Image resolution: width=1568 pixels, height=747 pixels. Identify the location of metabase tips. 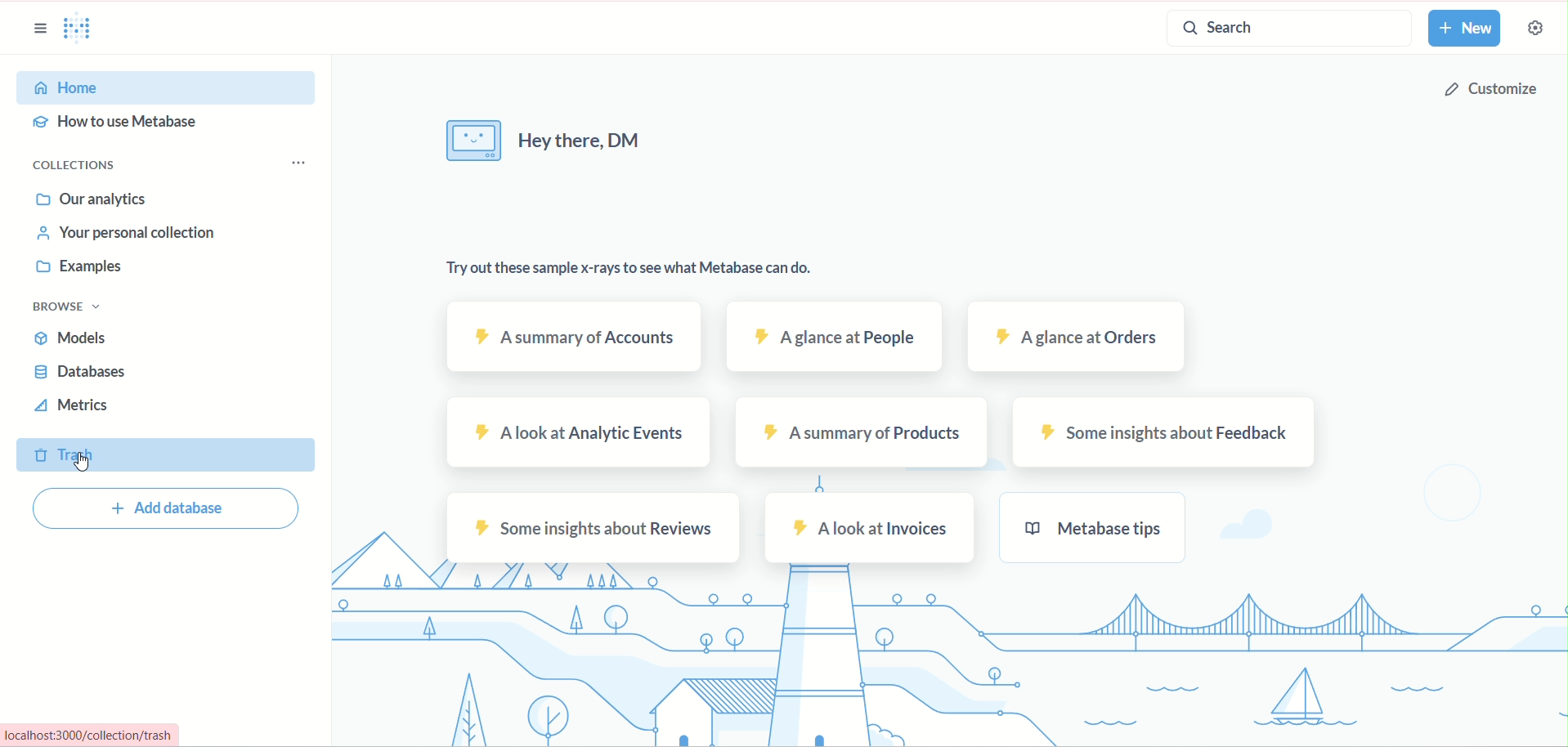
(1097, 532).